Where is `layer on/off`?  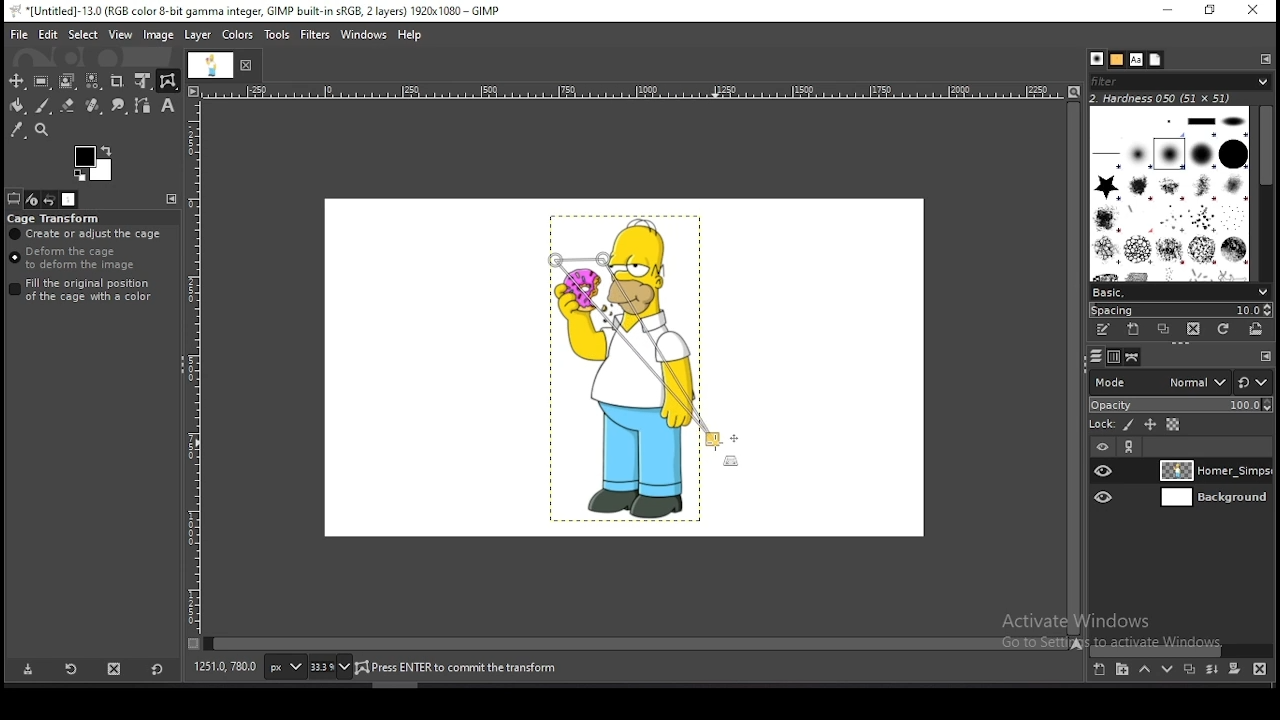 layer on/off is located at coordinates (1102, 446).